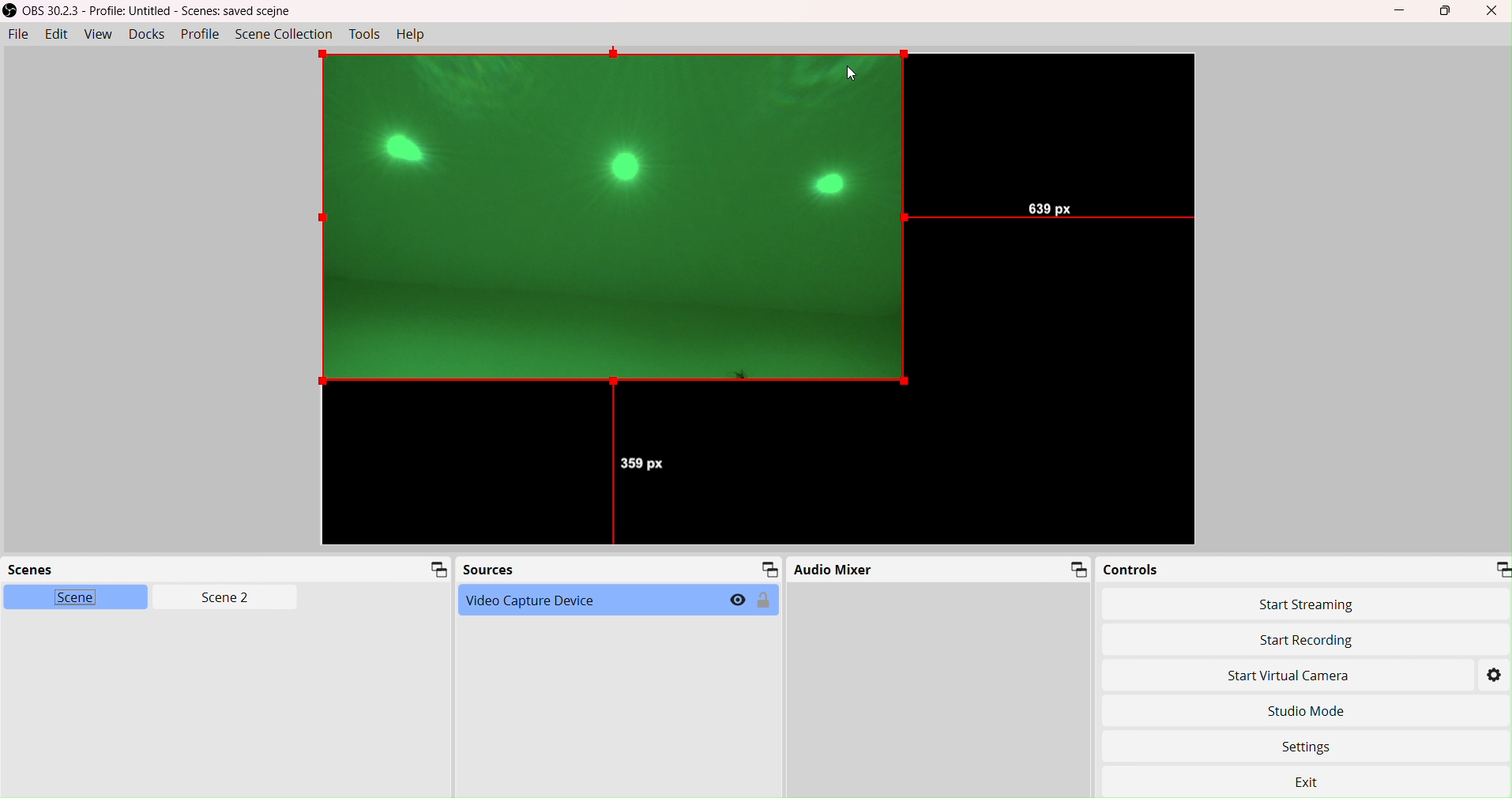 This screenshot has width=1512, height=798. Describe the element at coordinates (648, 466) in the screenshot. I see `359 px` at that location.